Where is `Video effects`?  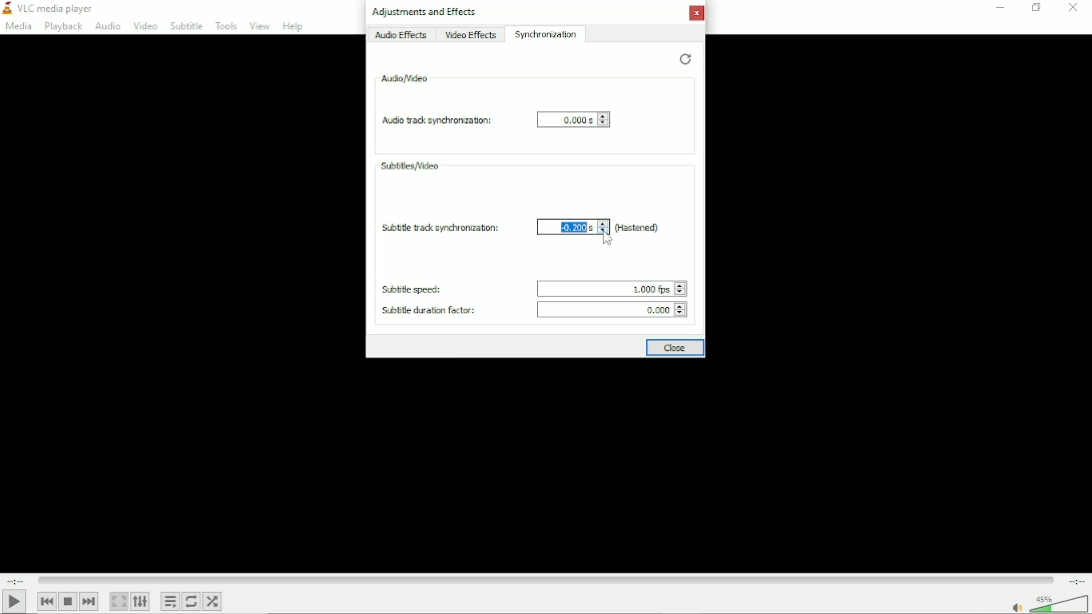
Video effects is located at coordinates (472, 35).